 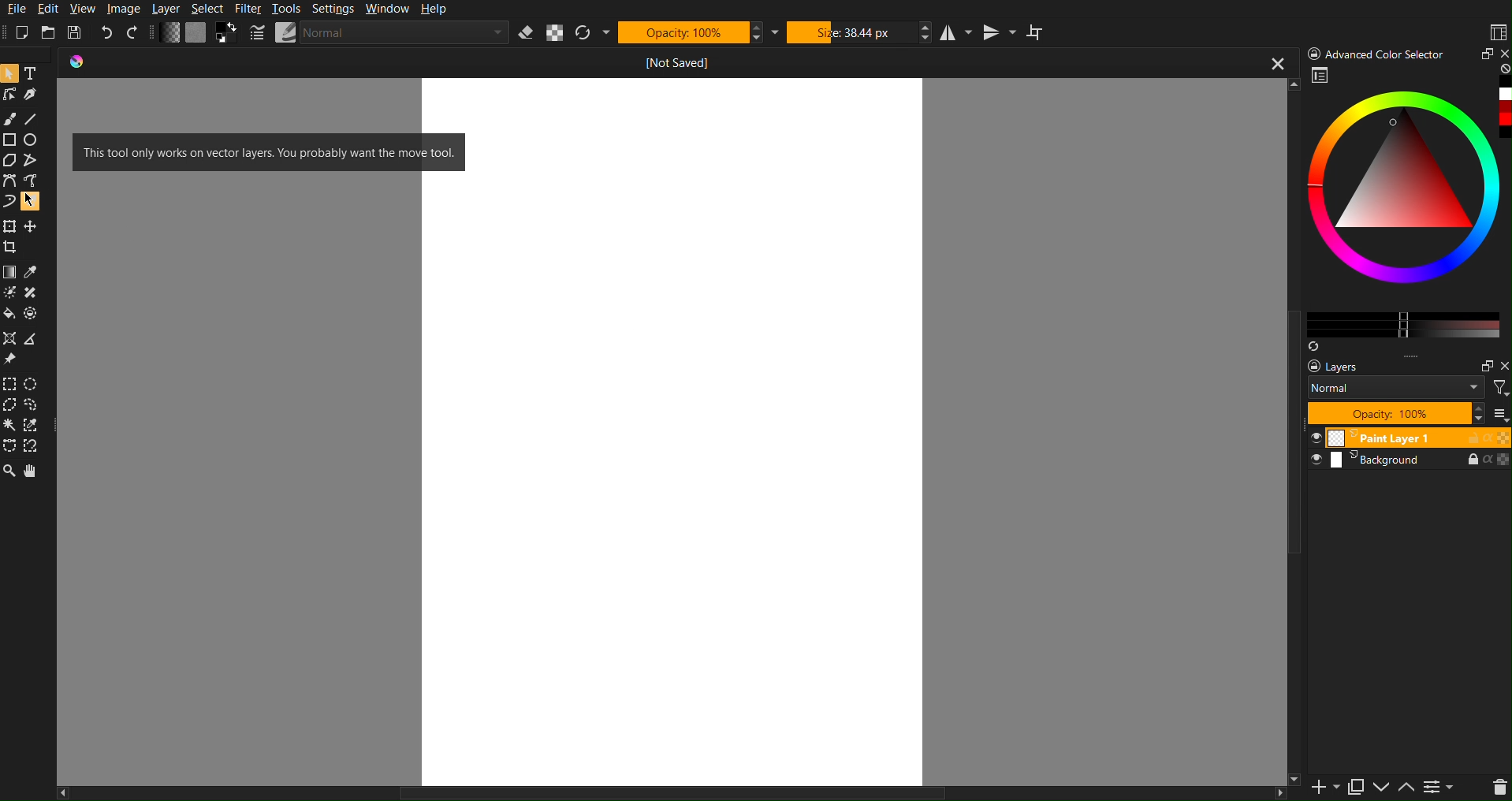 What do you see at coordinates (1503, 52) in the screenshot?
I see `close` at bounding box center [1503, 52].